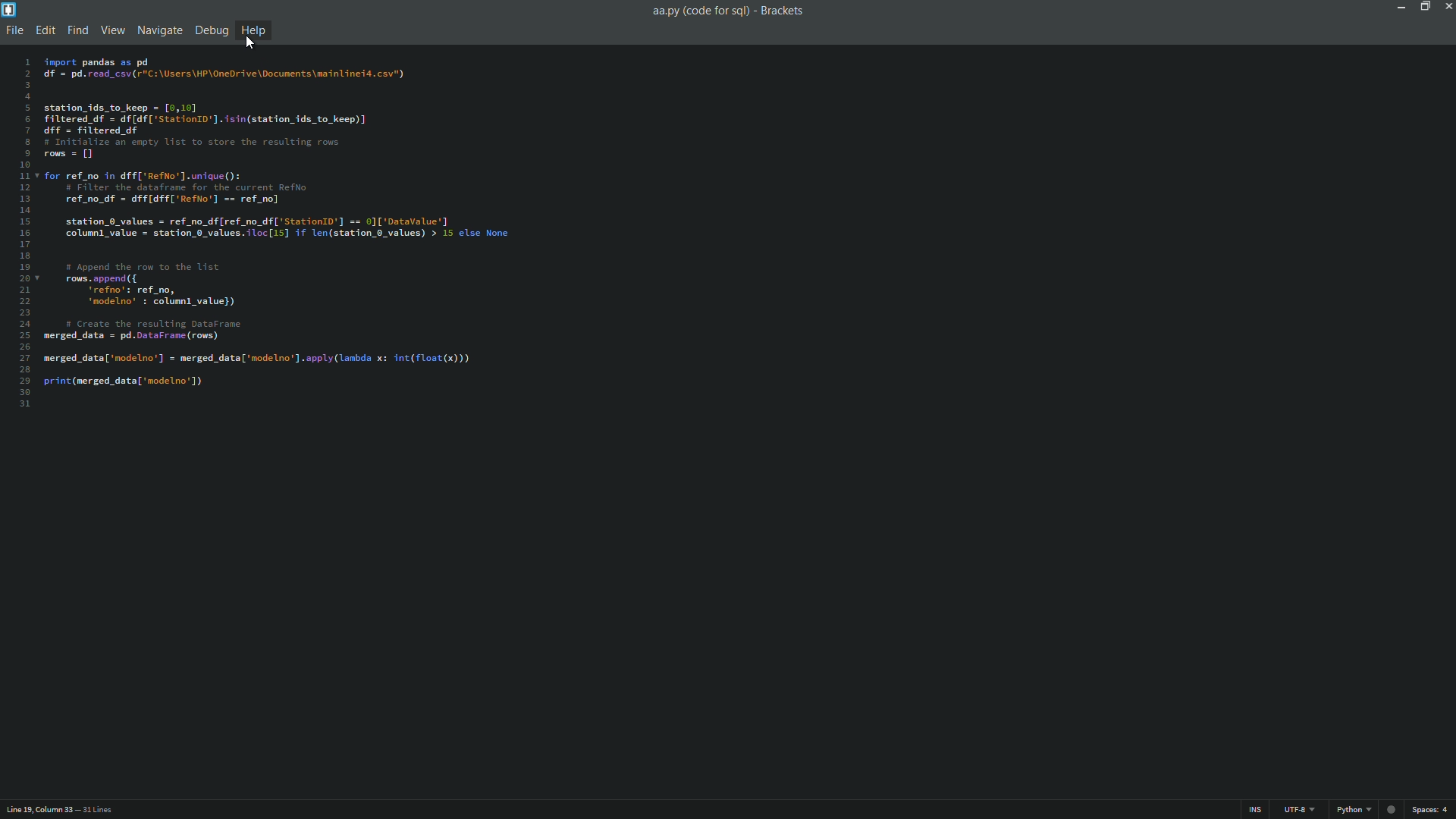 This screenshot has height=819, width=1456. Describe the element at coordinates (699, 10) in the screenshot. I see `file name` at that location.